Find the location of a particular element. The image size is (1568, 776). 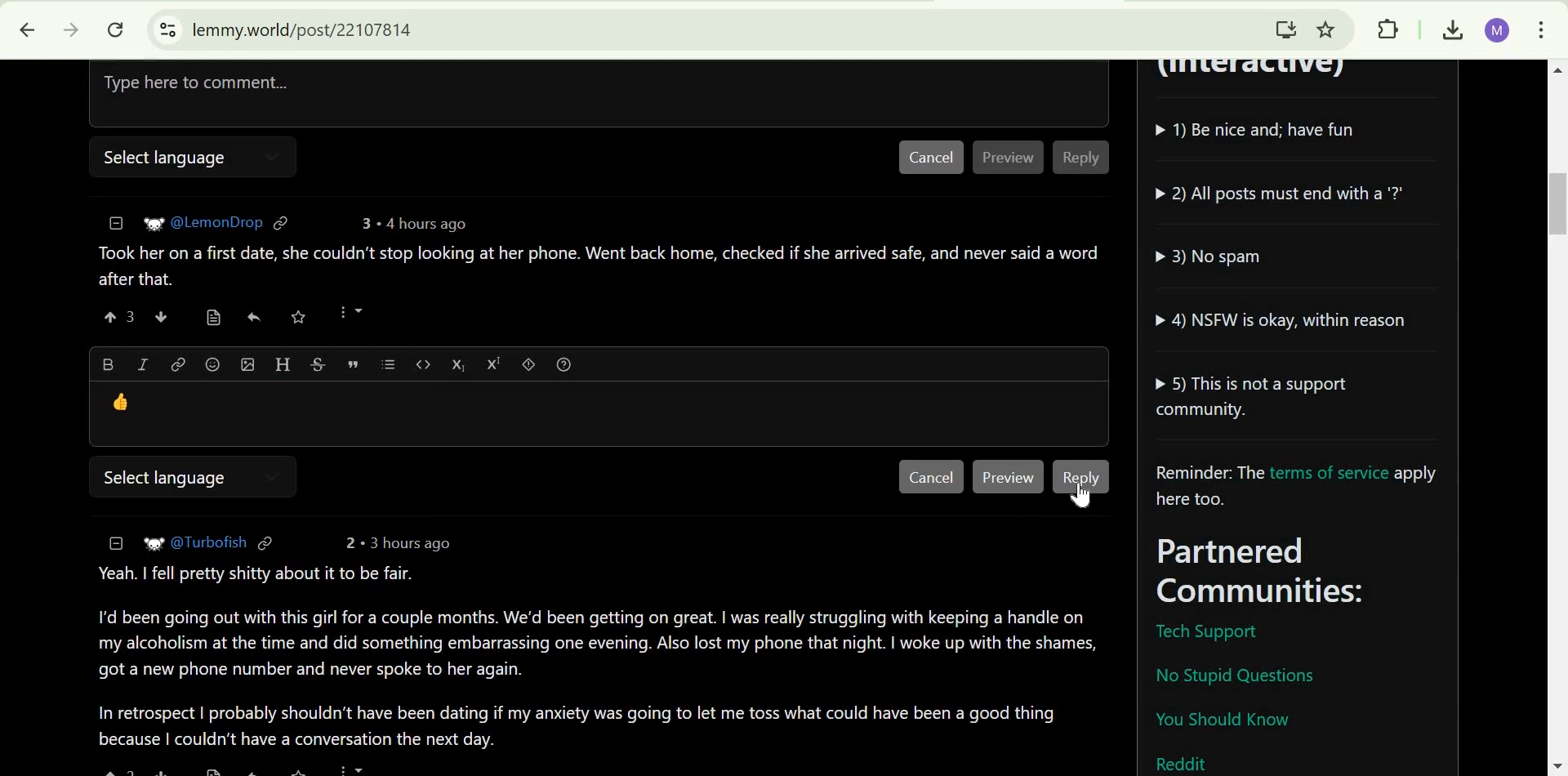

Google Account is located at coordinates (1497, 31).